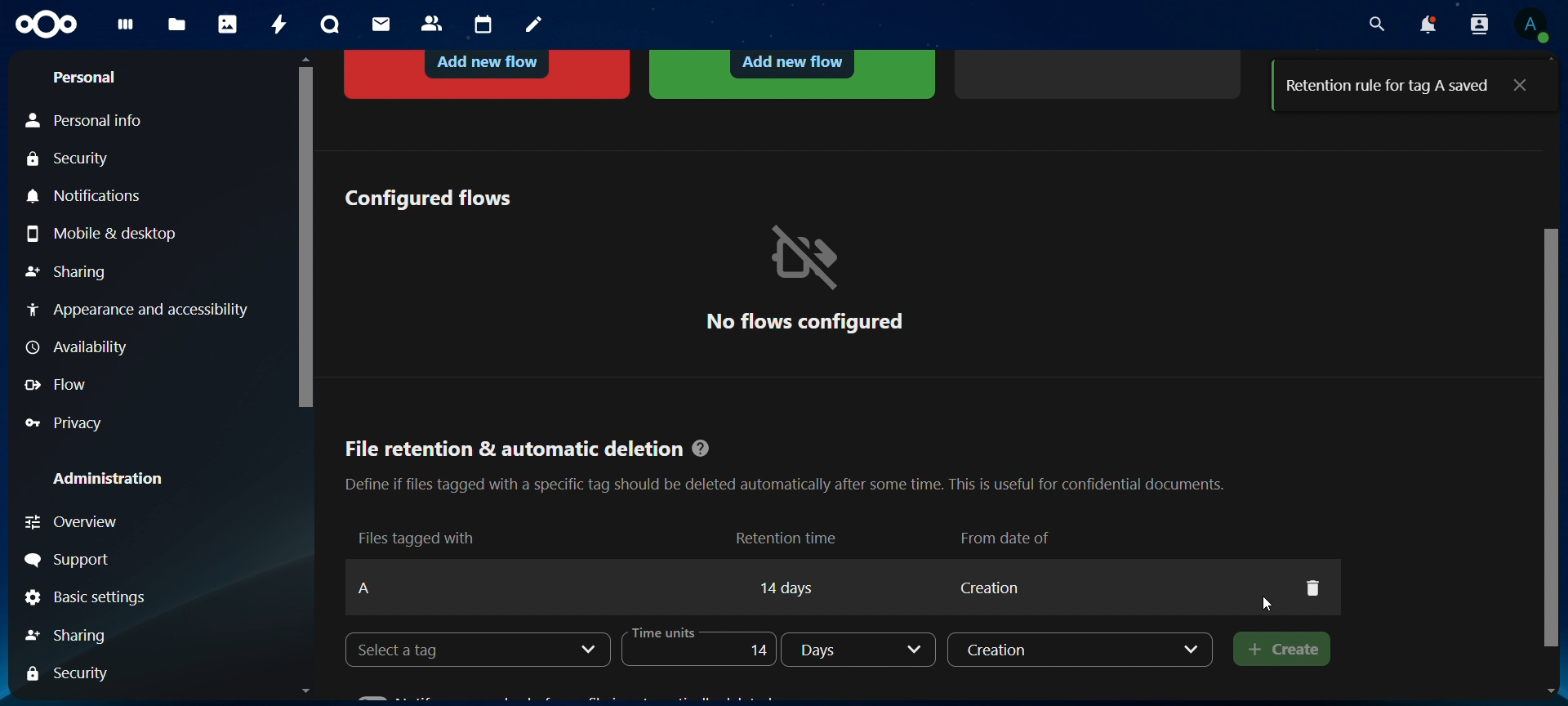  I want to click on search, so click(1373, 25).